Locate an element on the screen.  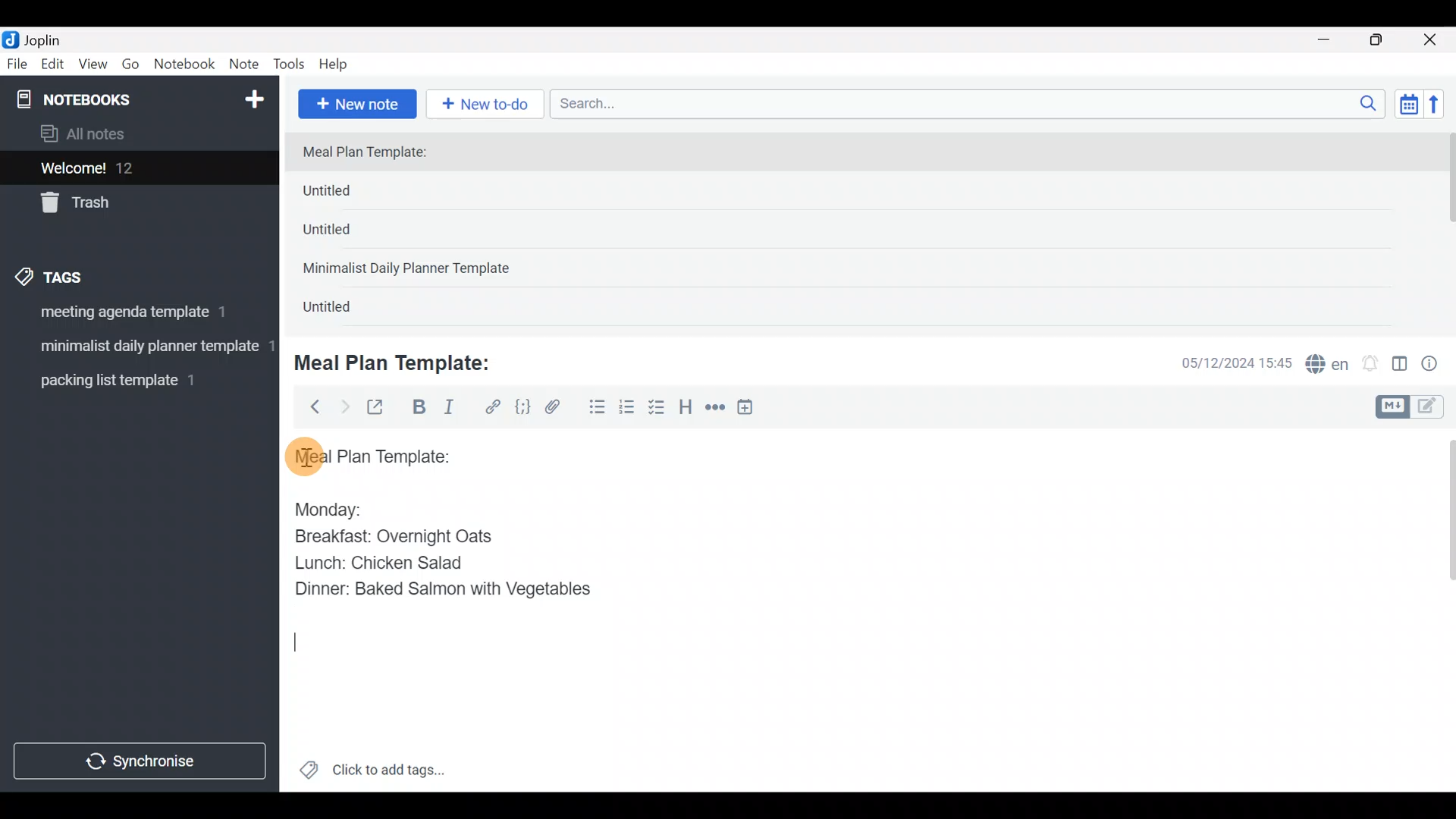
All notes is located at coordinates (136, 135).